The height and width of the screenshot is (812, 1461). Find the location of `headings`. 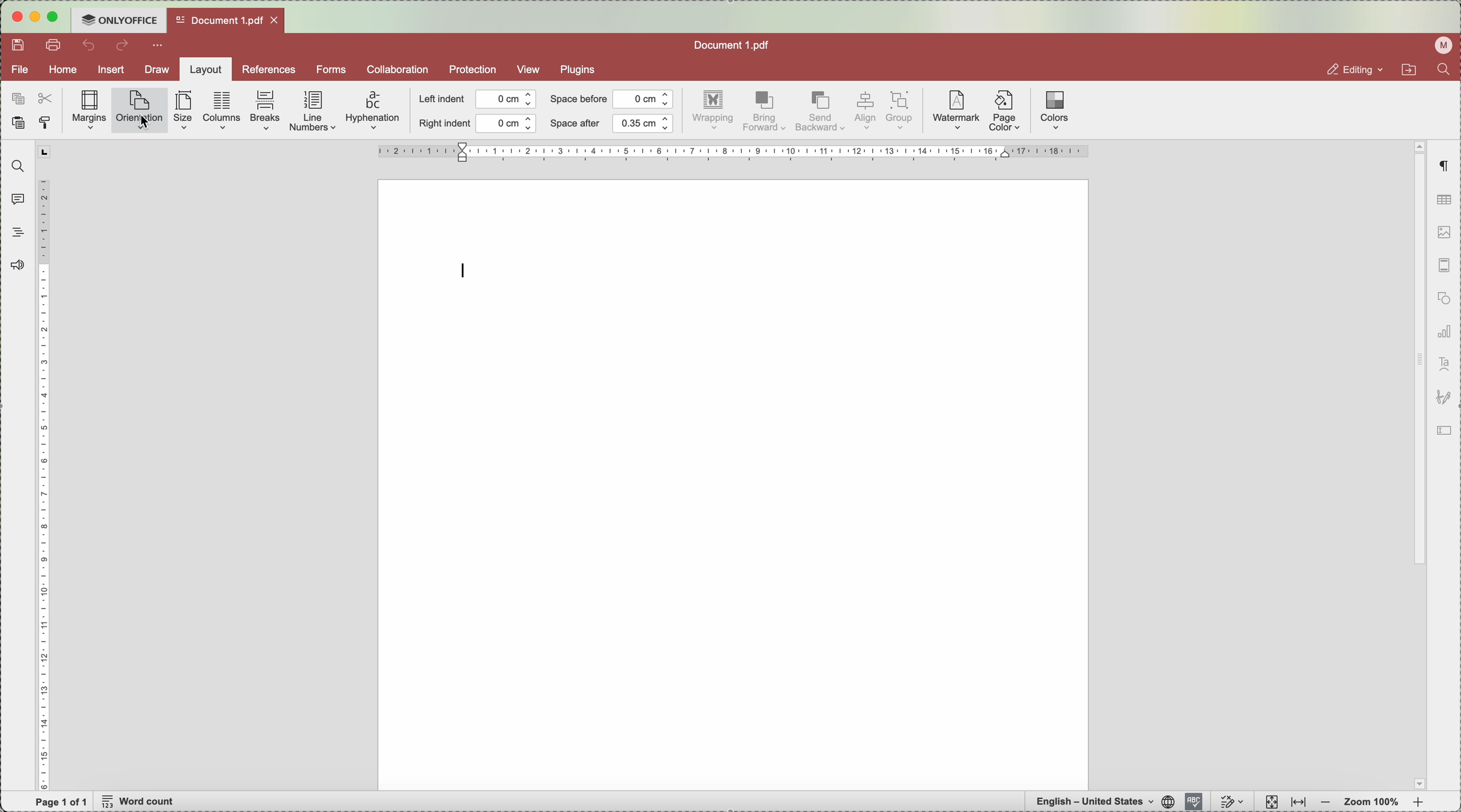

headings is located at coordinates (18, 232).